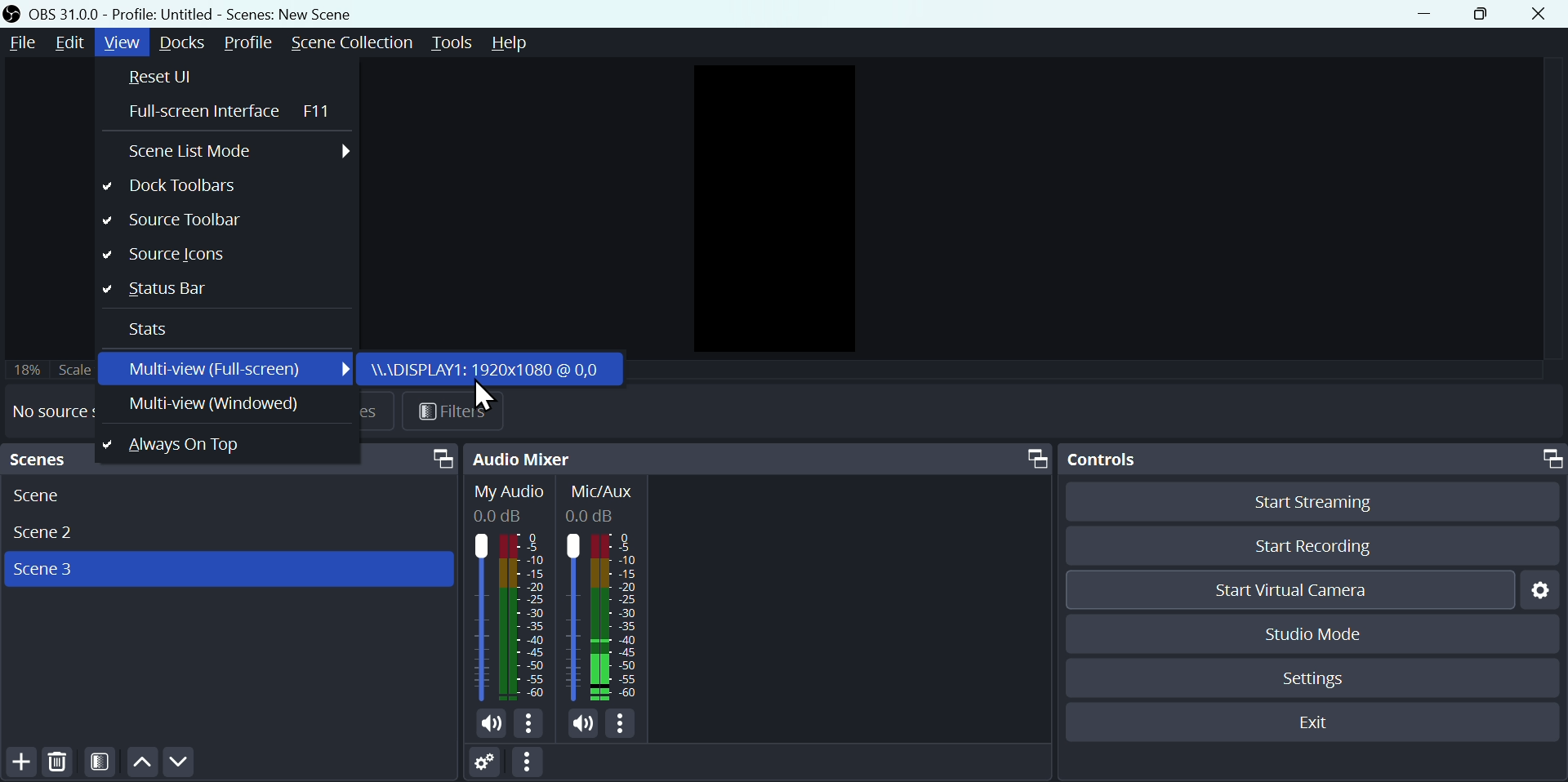  What do you see at coordinates (101, 764) in the screenshot?
I see `Filter` at bounding box center [101, 764].